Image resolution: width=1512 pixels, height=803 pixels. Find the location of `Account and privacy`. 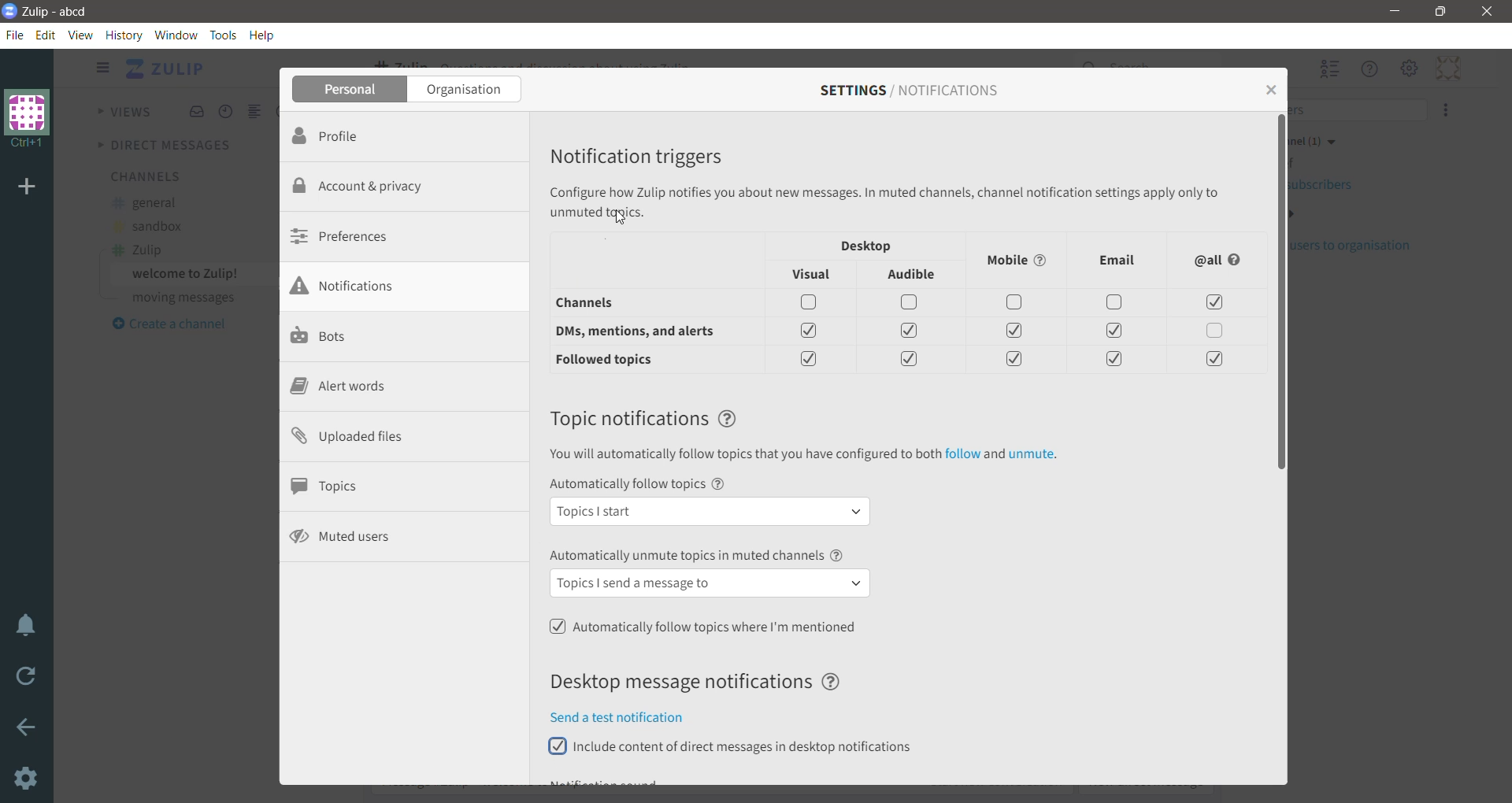

Account and privacy is located at coordinates (370, 185).